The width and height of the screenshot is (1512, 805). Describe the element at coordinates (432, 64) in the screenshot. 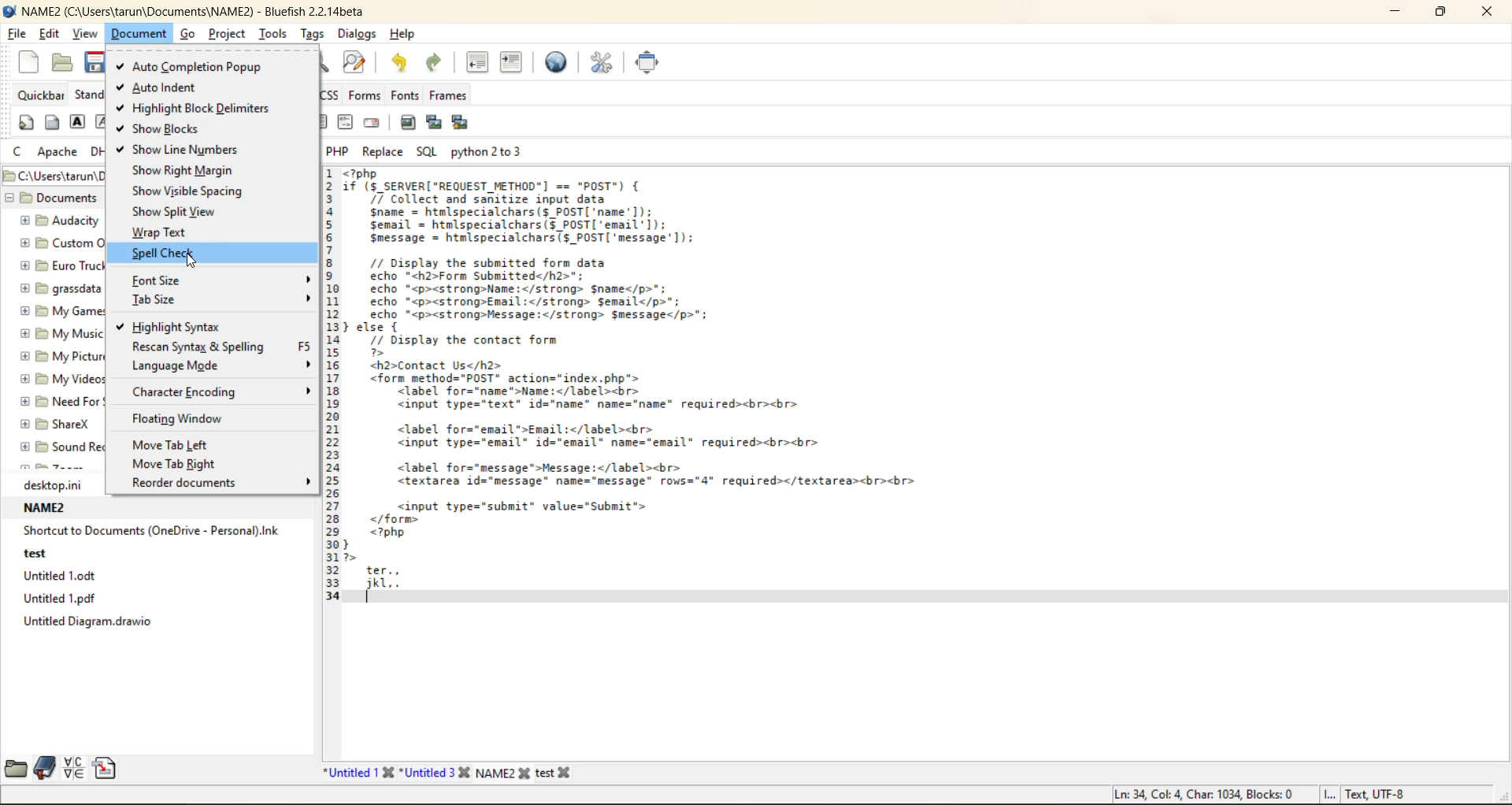

I see `redo` at that location.